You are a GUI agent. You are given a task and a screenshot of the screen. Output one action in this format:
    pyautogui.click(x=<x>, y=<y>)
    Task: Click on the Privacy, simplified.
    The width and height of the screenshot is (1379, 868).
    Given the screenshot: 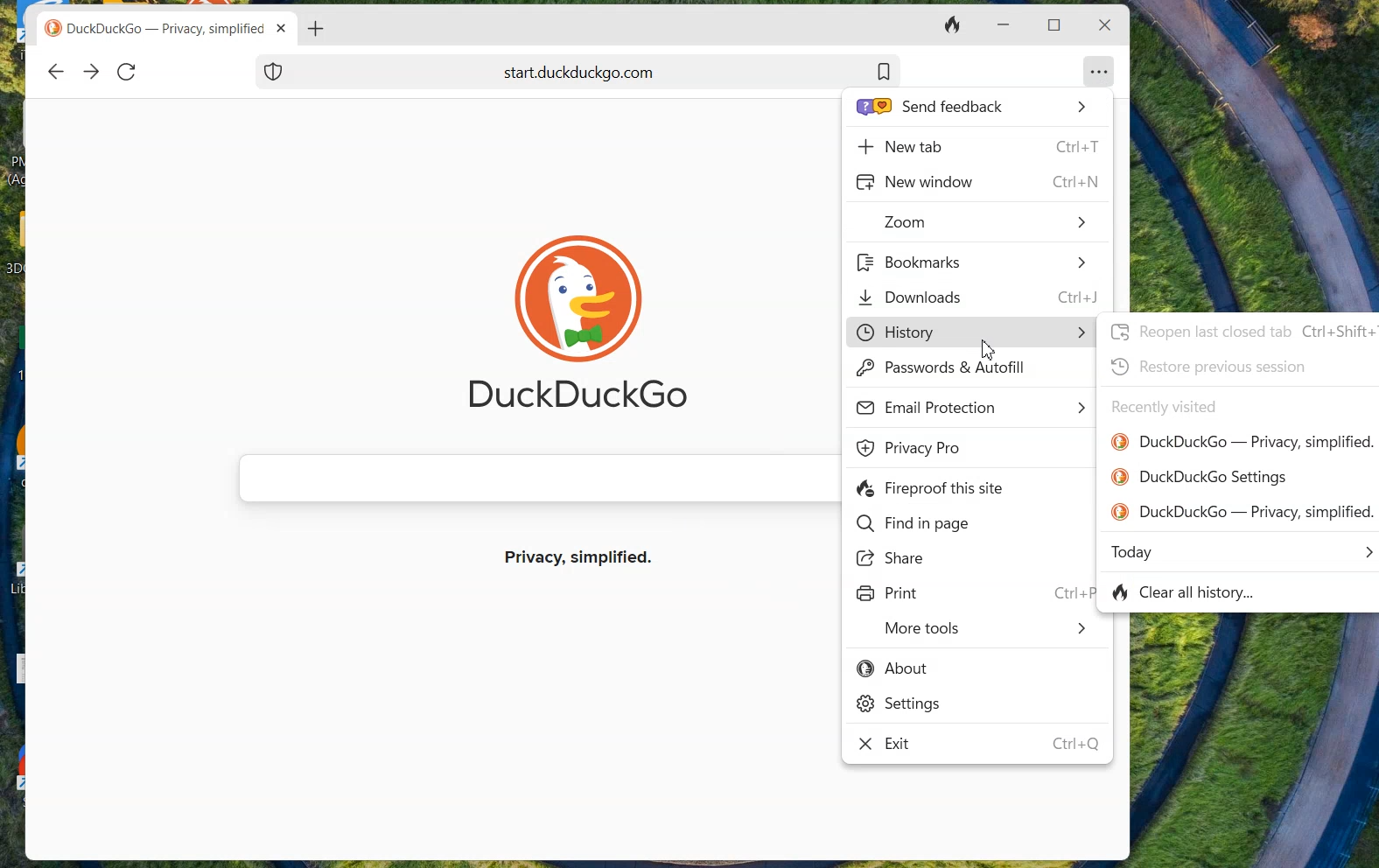 What is the action you would take?
    pyautogui.click(x=586, y=559)
    